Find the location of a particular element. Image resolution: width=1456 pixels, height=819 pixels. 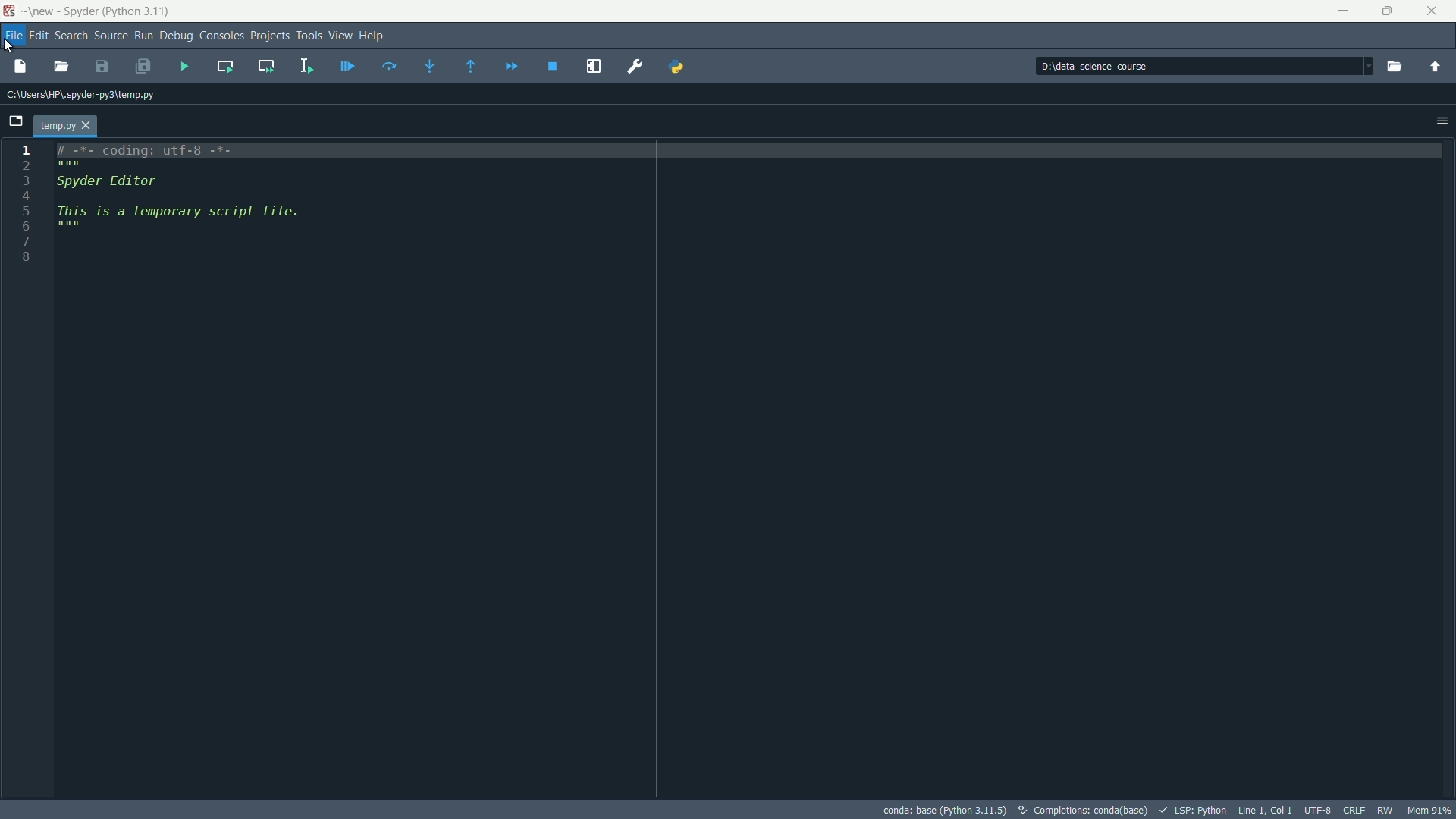

Cursor is located at coordinates (14, 49).